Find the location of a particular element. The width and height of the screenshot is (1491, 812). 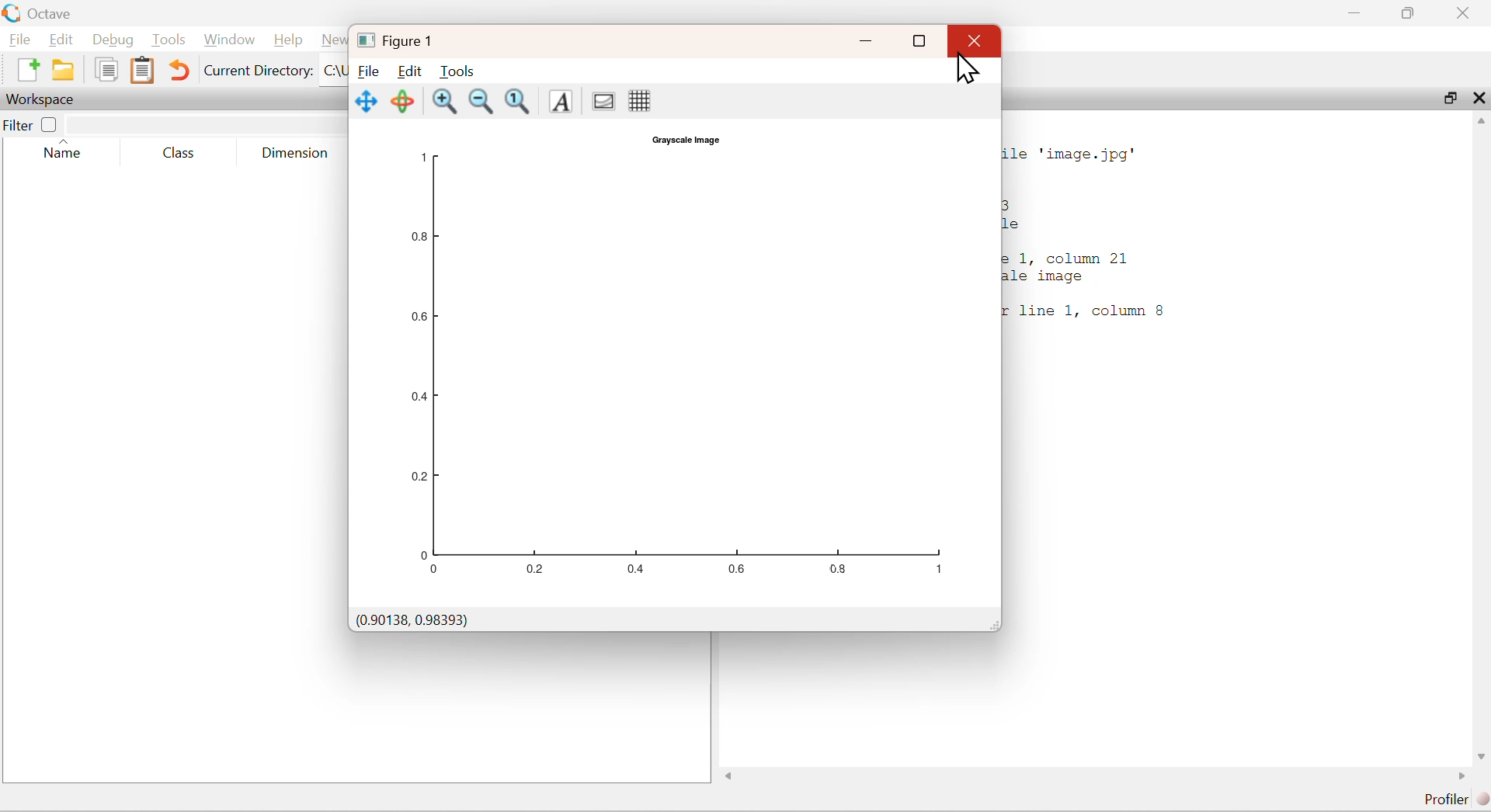

File is located at coordinates (23, 40).